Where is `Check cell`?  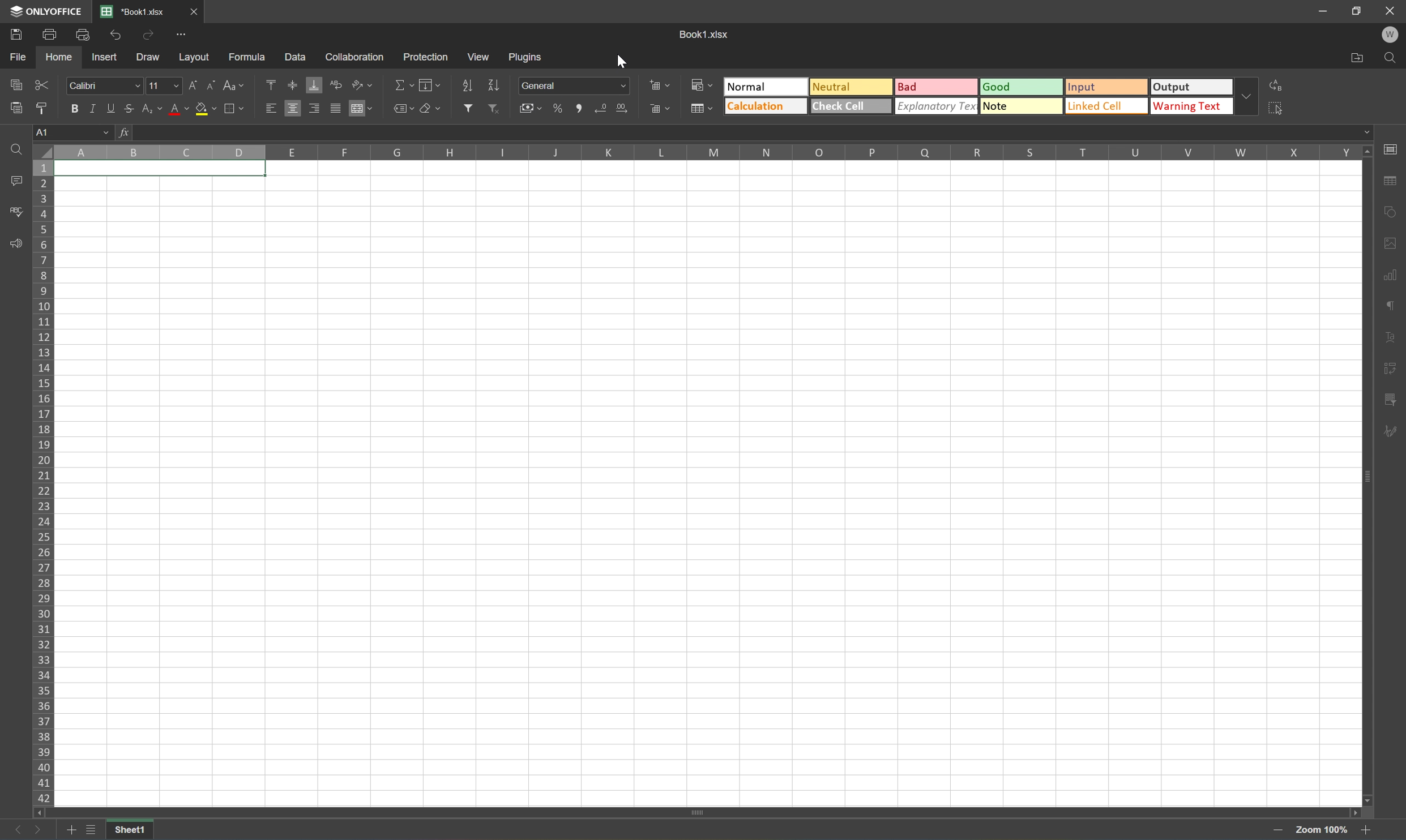
Check cell is located at coordinates (850, 106).